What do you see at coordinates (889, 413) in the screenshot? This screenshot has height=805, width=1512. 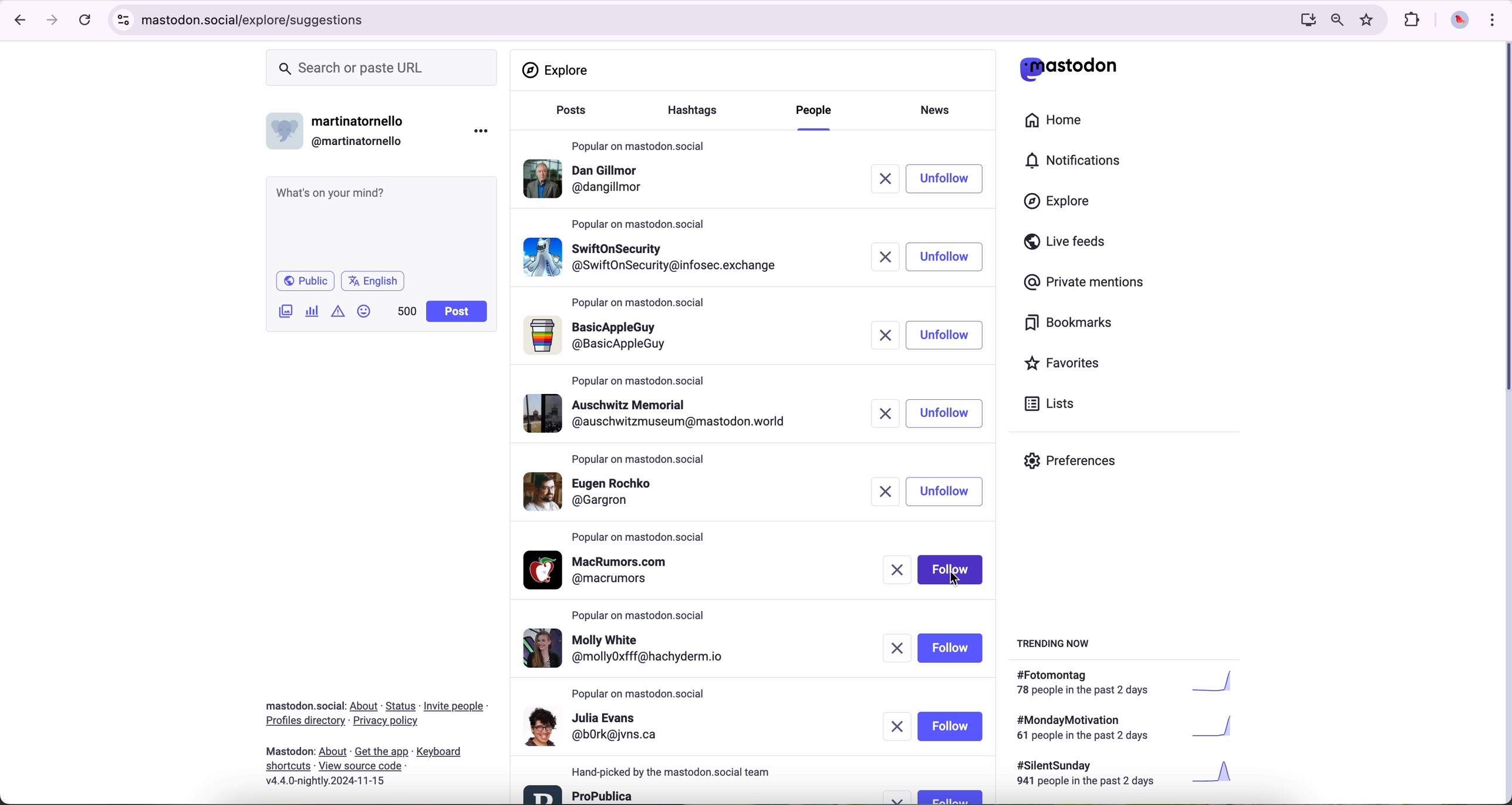 I see `remove` at bounding box center [889, 413].